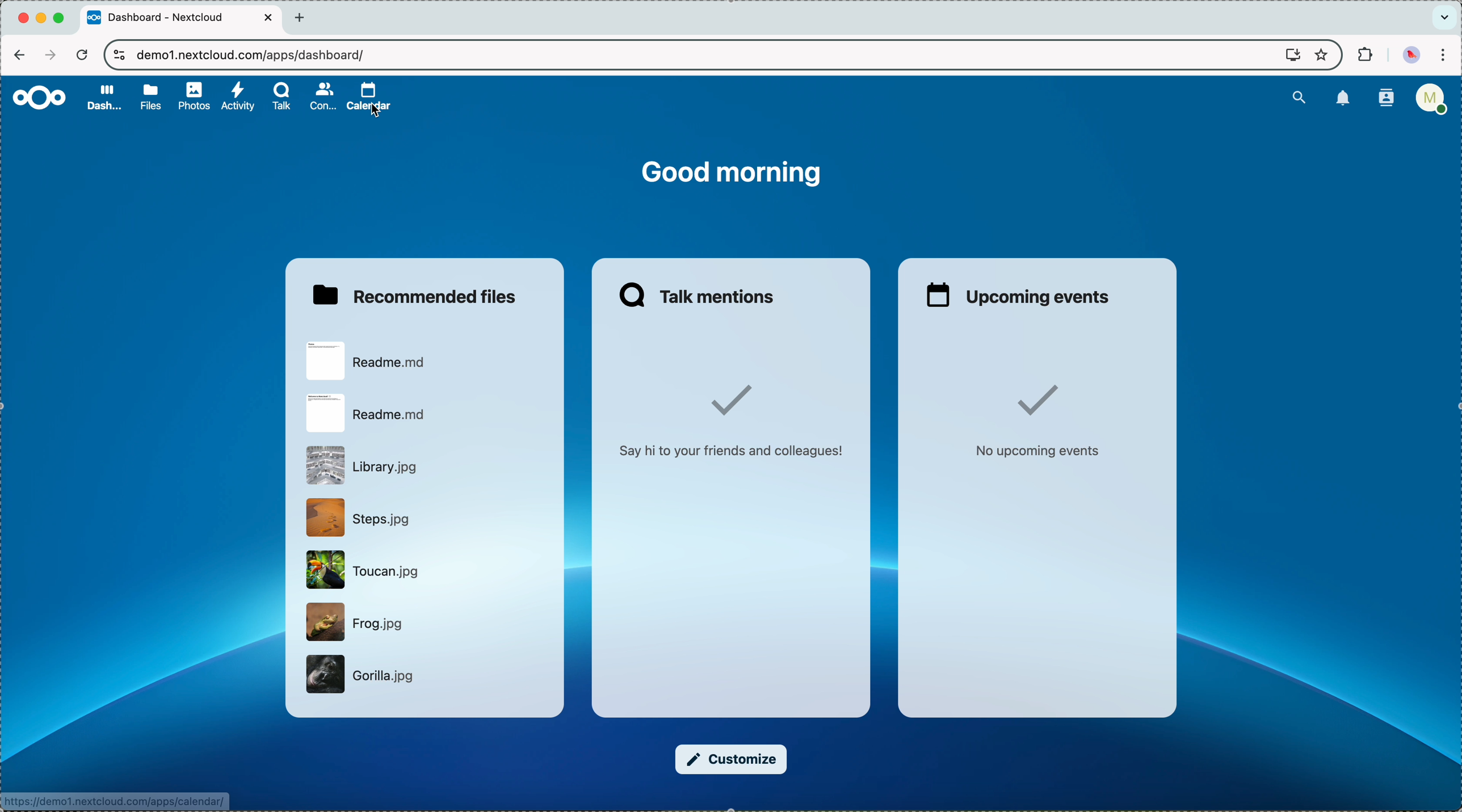 The width and height of the screenshot is (1462, 812). Describe the element at coordinates (238, 97) in the screenshot. I see `activity` at that location.